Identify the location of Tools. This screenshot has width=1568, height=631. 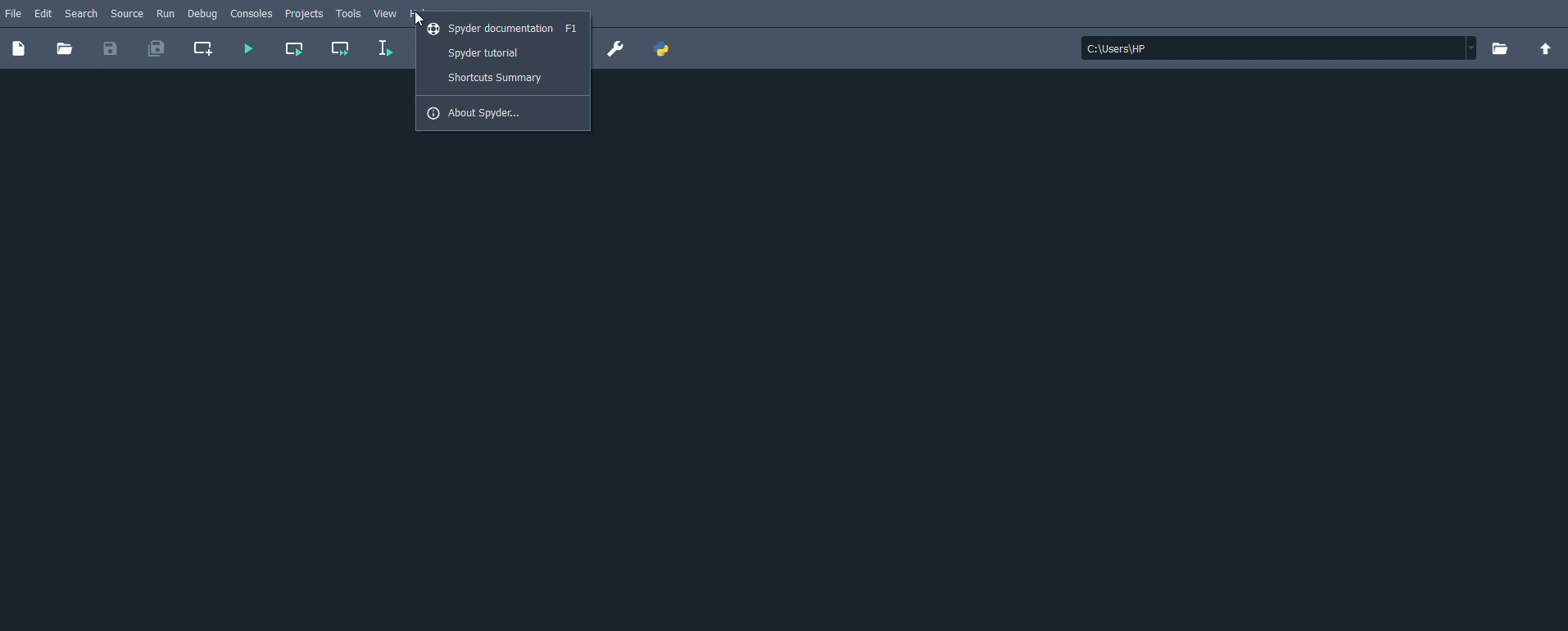
(351, 13).